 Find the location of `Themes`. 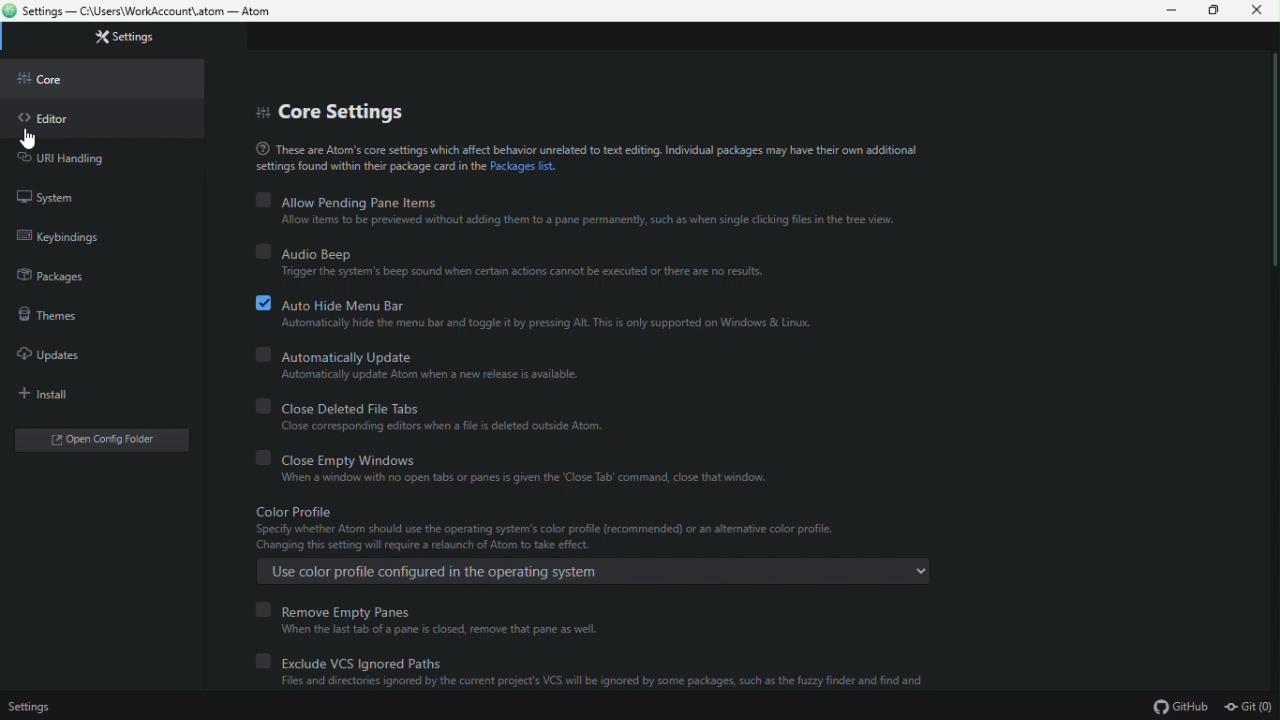

Themes is located at coordinates (55, 318).